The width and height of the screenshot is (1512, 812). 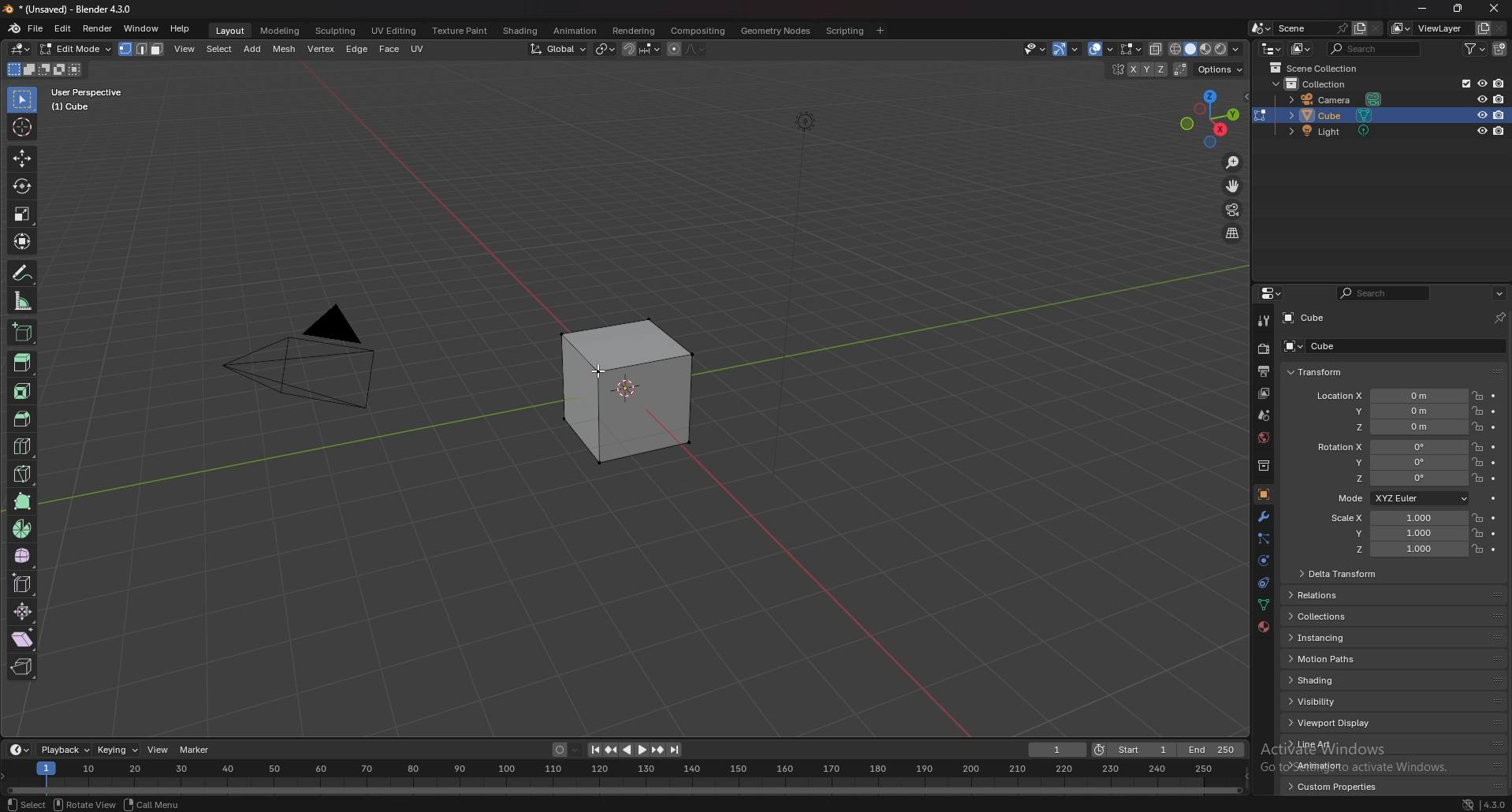 What do you see at coordinates (21, 531) in the screenshot?
I see `spin` at bounding box center [21, 531].